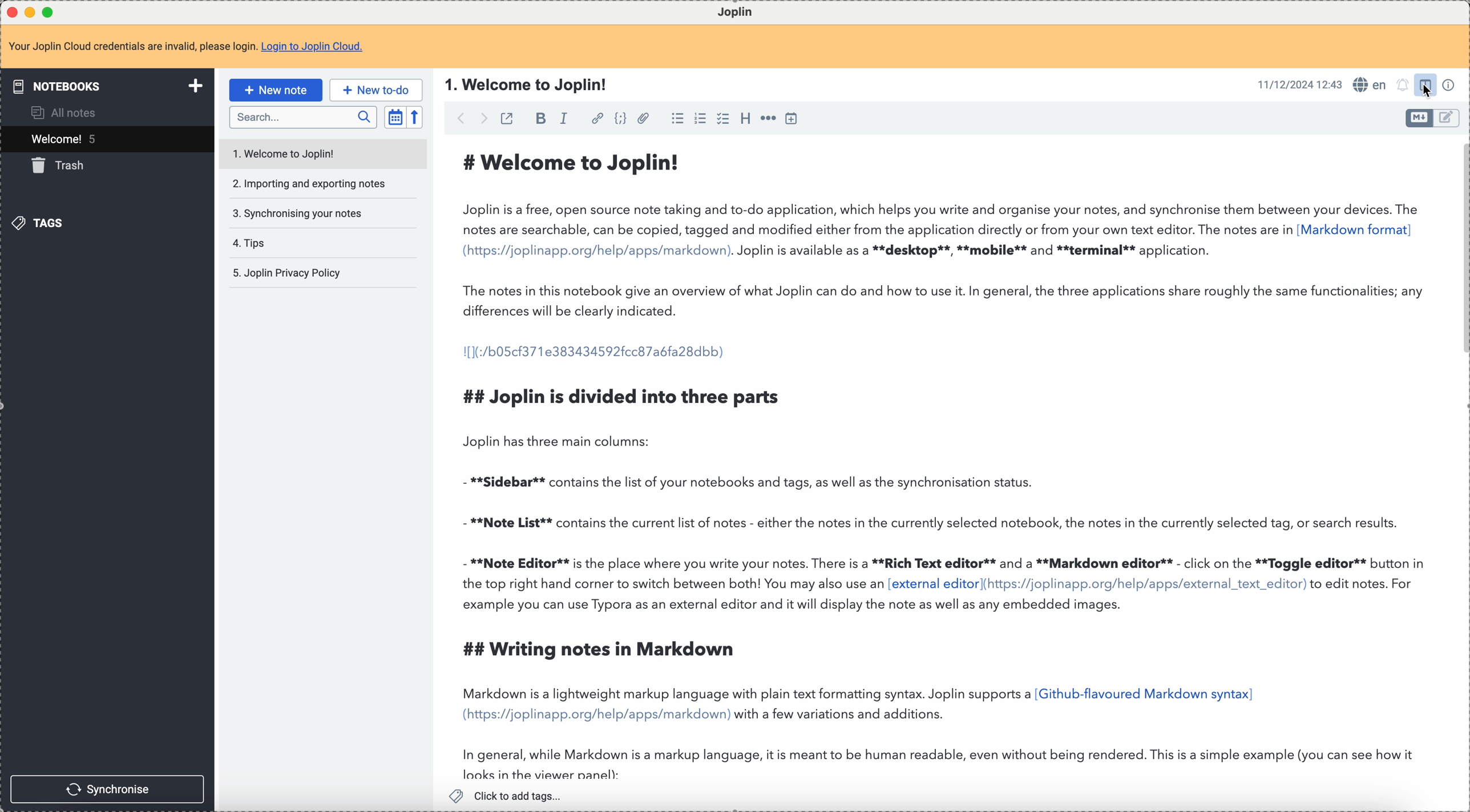 This screenshot has height=812, width=1470. What do you see at coordinates (976, 251) in the screenshot?
I see `Joplin is available as a **desktop**, **mobile** and **terminal** application.` at bounding box center [976, 251].